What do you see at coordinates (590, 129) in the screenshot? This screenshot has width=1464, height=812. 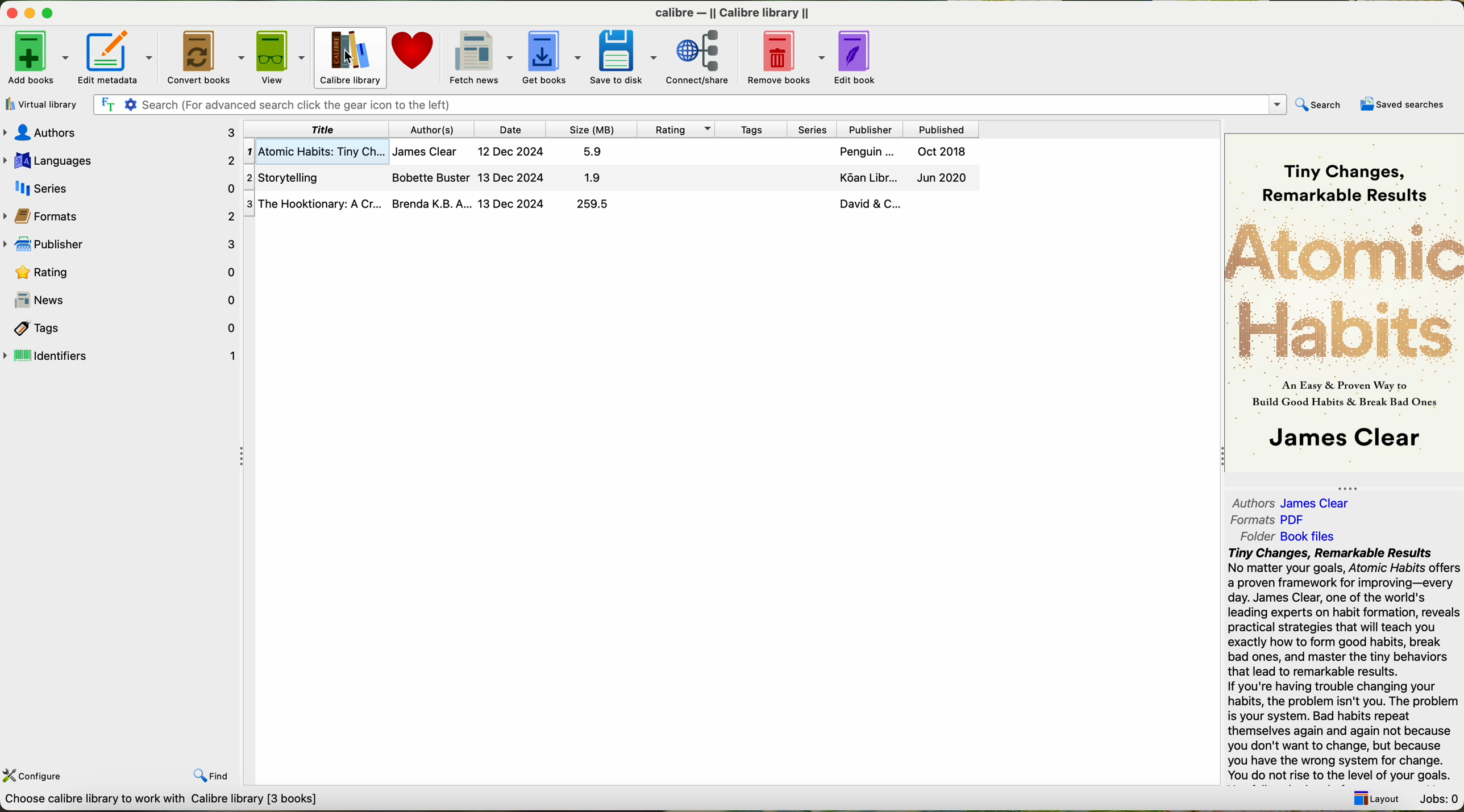 I see `size` at bounding box center [590, 129].